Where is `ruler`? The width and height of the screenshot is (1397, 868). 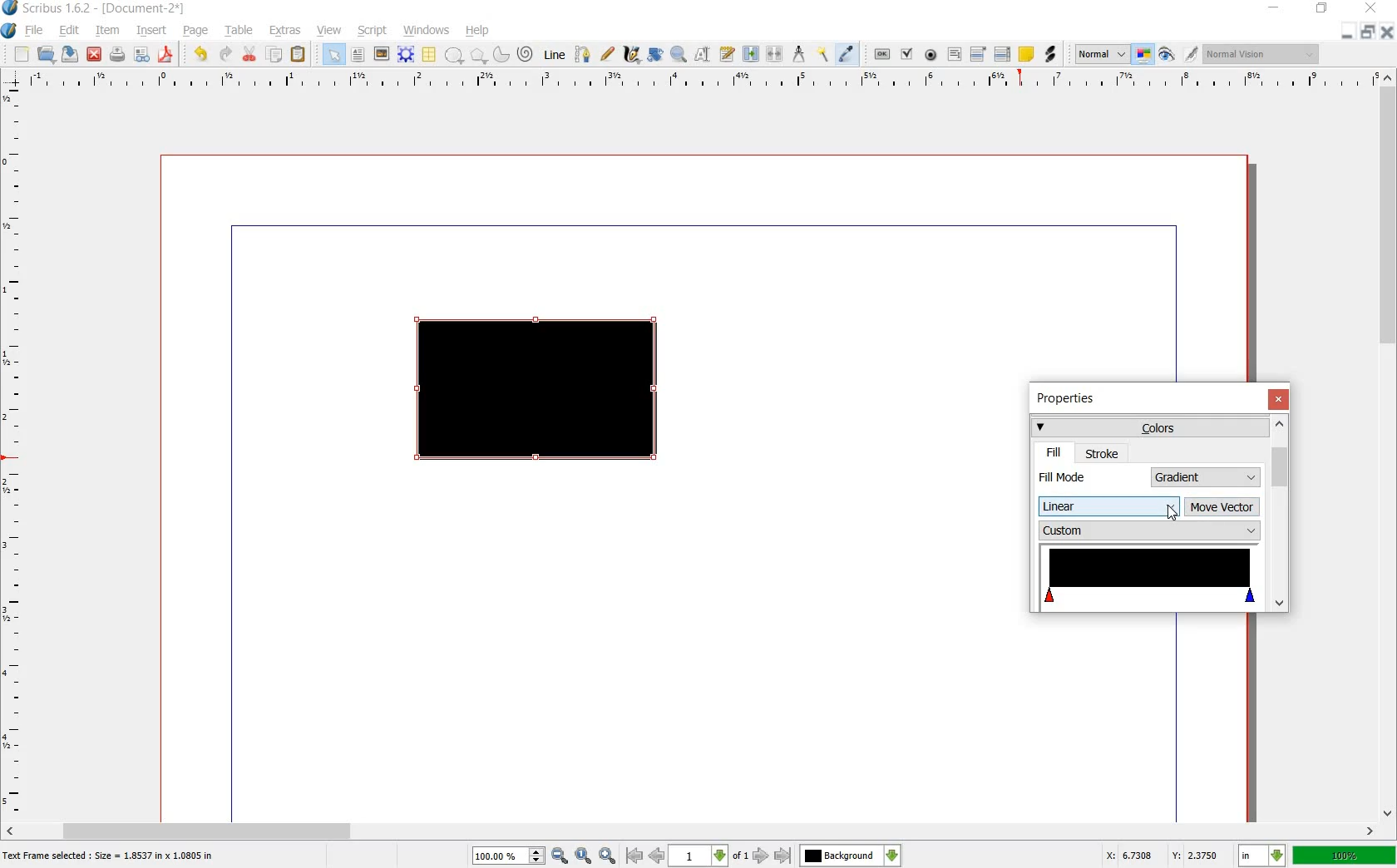 ruler is located at coordinates (696, 81).